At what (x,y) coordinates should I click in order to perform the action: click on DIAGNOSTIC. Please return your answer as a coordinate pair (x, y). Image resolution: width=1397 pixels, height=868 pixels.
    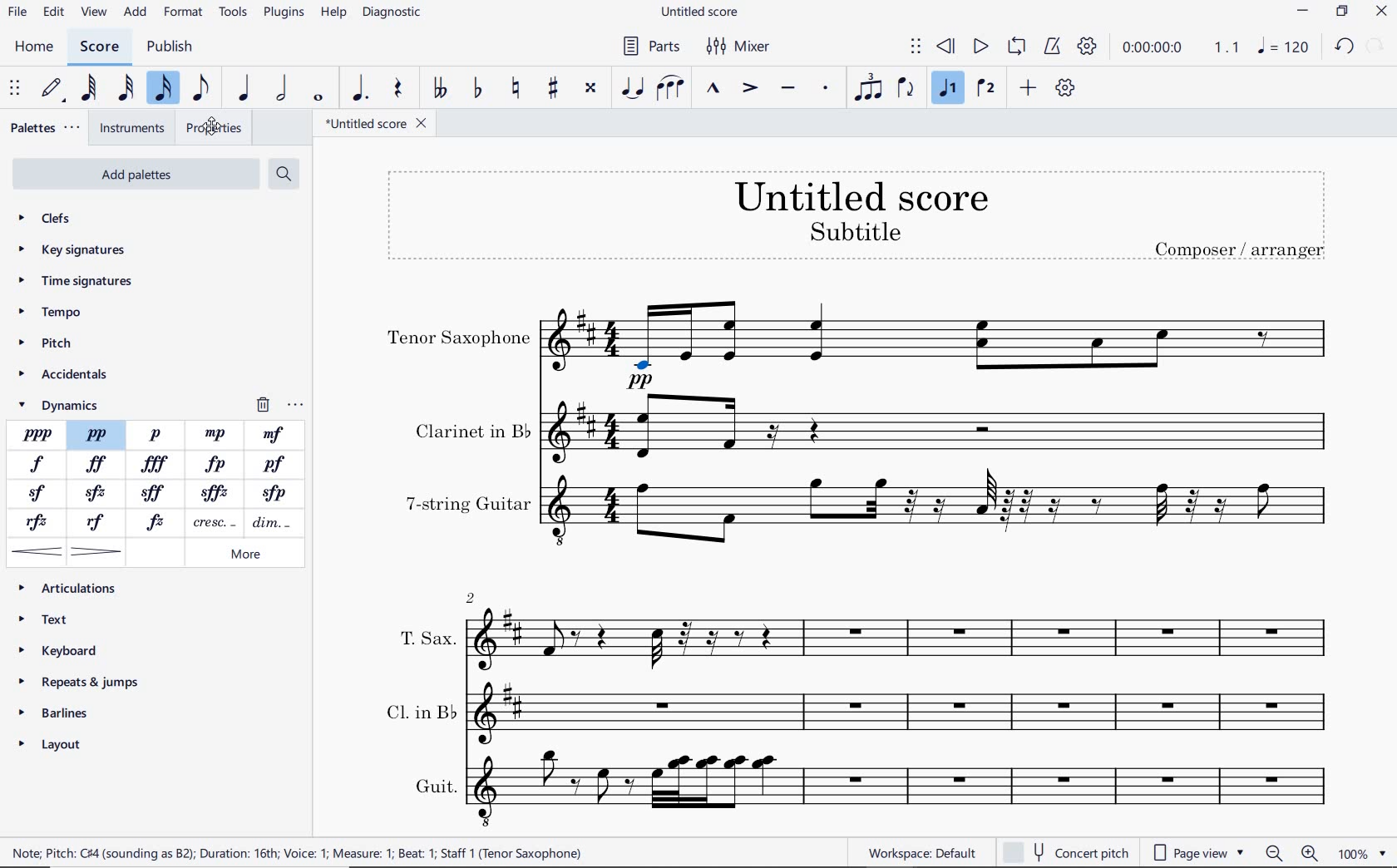
    Looking at the image, I should click on (392, 13).